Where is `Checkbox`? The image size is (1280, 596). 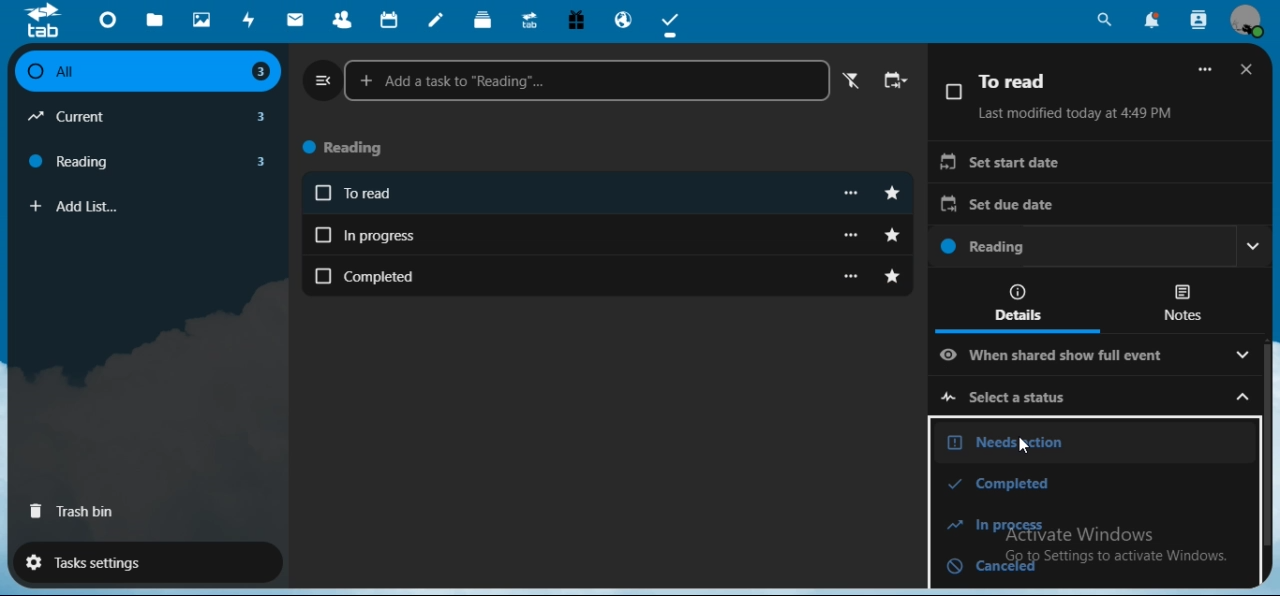
Checkbox is located at coordinates (323, 193).